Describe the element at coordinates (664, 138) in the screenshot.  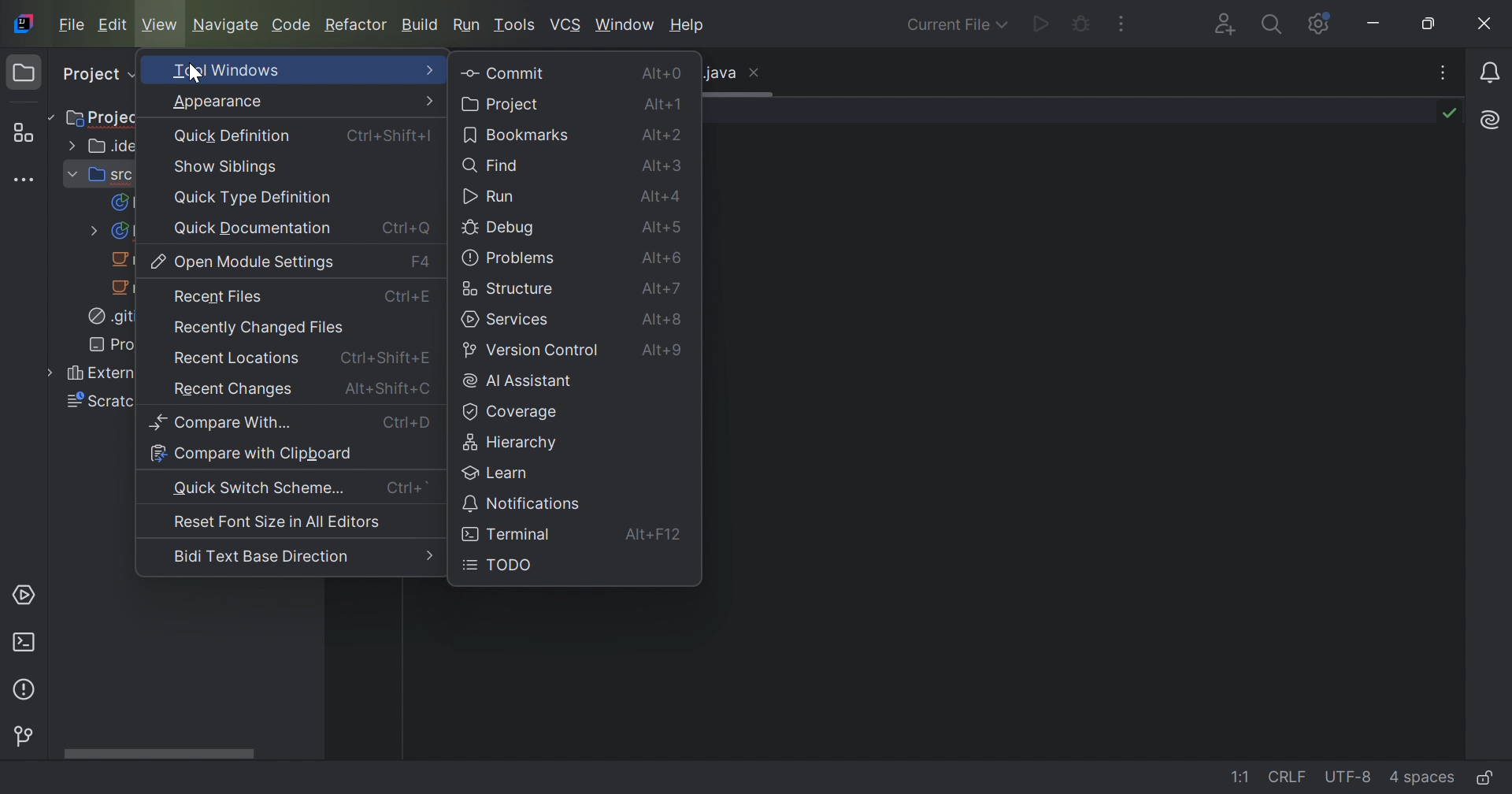
I see `Alt+2` at that location.